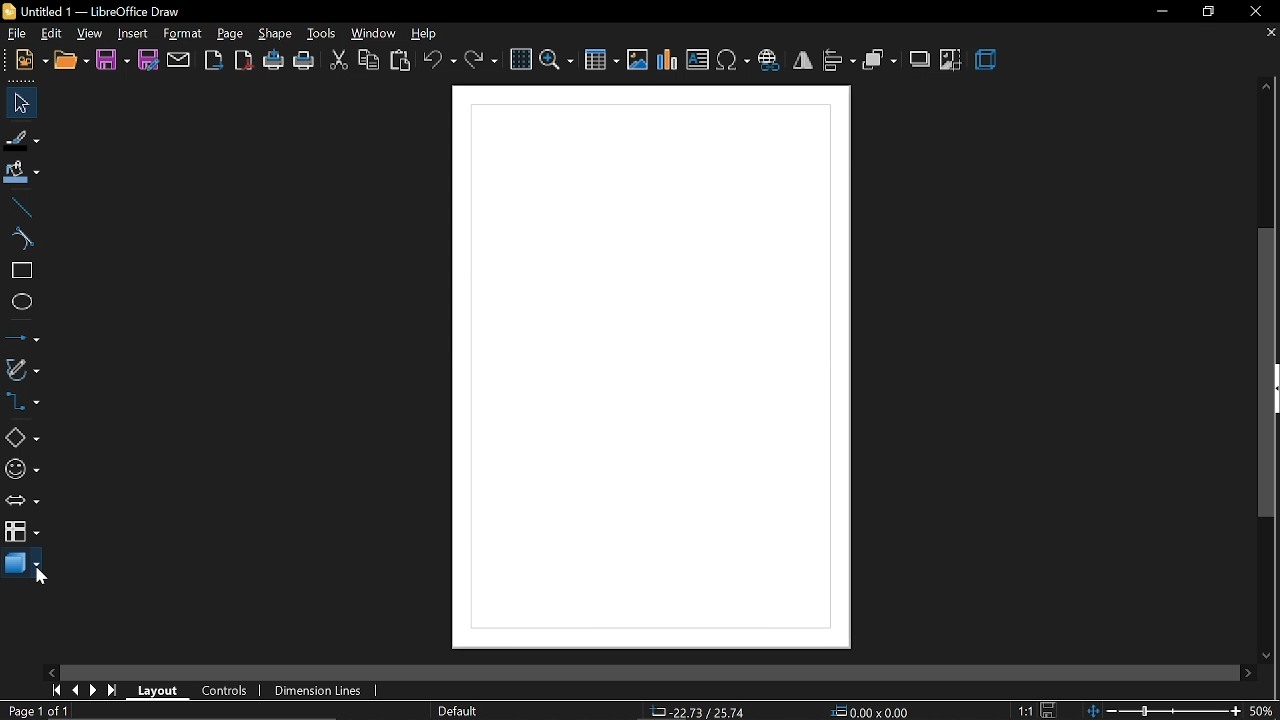  What do you see at coordinates (602, 60) in the screenshot?
I see `insert table` at bounding box center [602, 60].